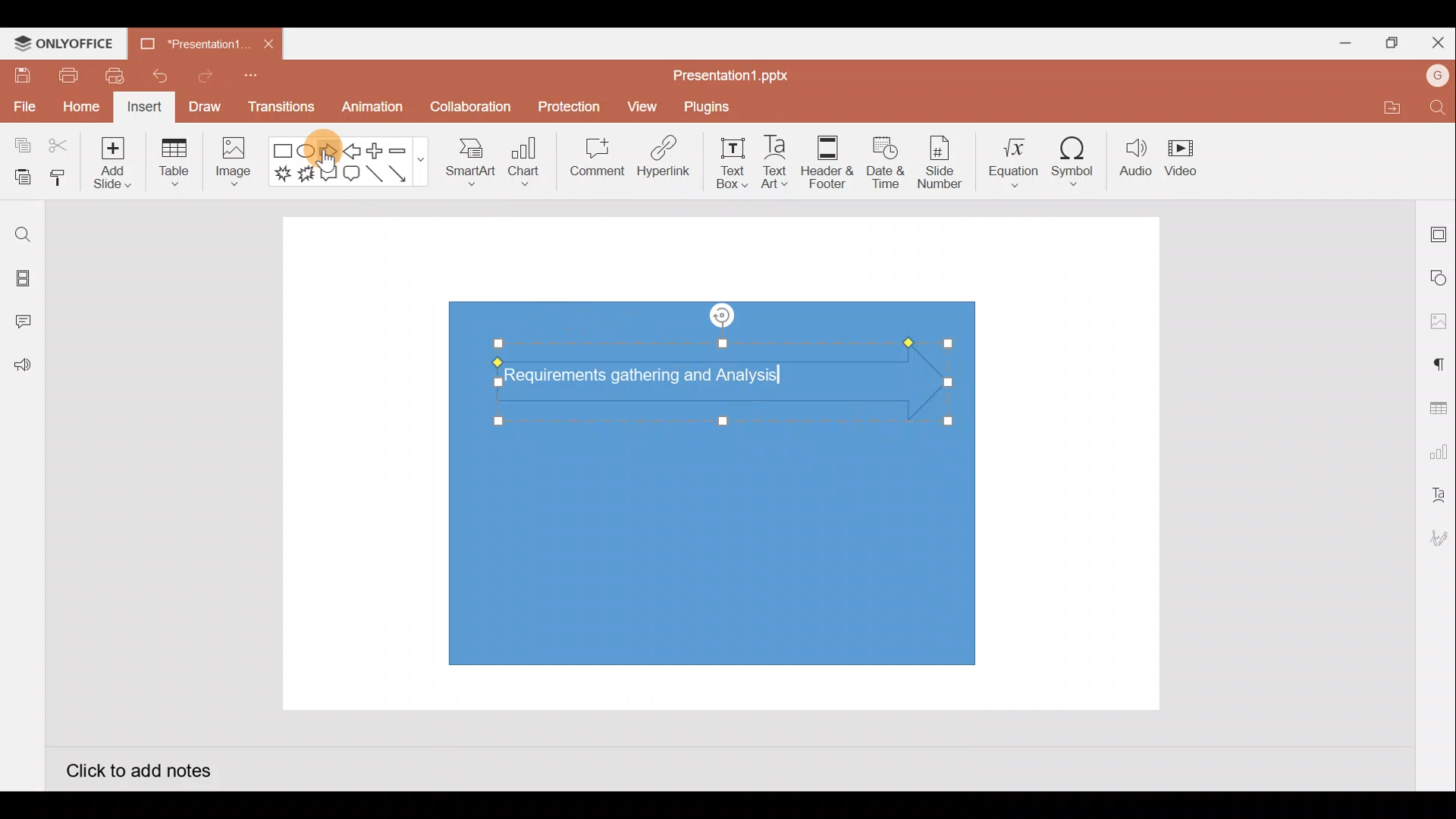 This screenshot has width=1456, height=819. Describe the element at coordinates (717, 105) in the screenshot. I see `Plugins` at that location.